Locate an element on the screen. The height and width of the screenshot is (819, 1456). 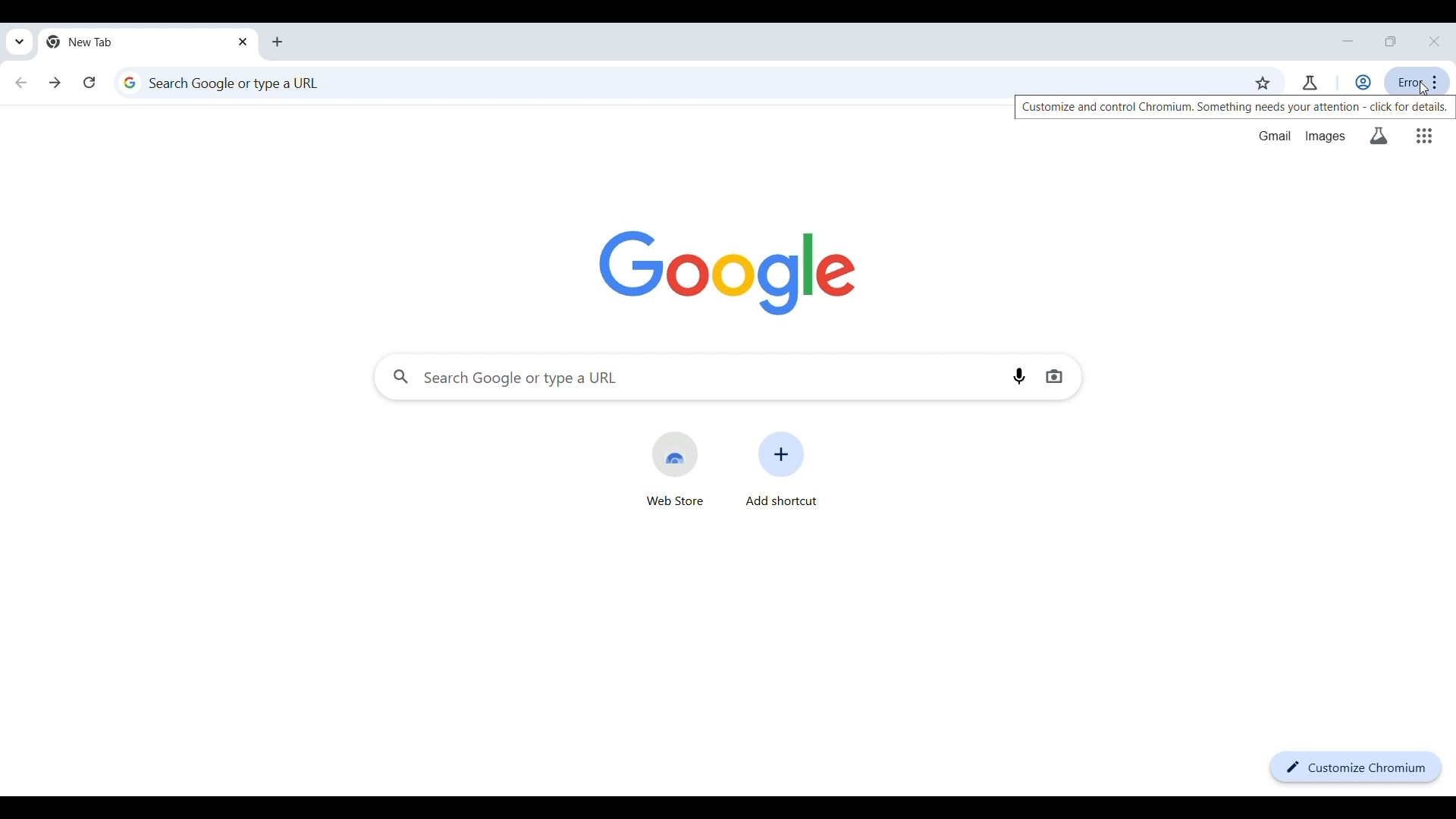
Search by voice is located at coordinates (1019, 376).